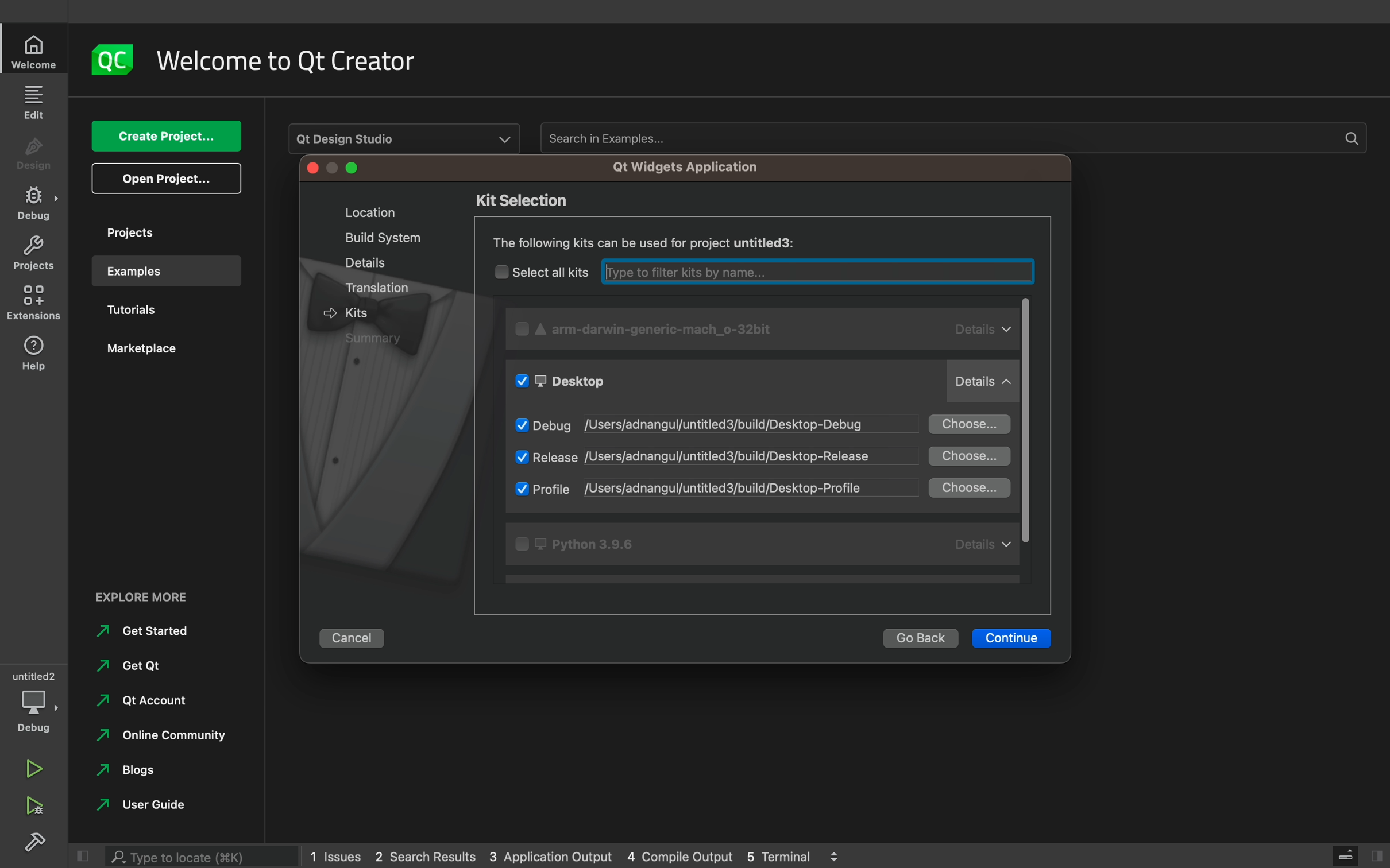 This screenshot has width=1390, height=868. Describe the element at coordinates (335, 169) in the screenshot. I see `window control` at that location.